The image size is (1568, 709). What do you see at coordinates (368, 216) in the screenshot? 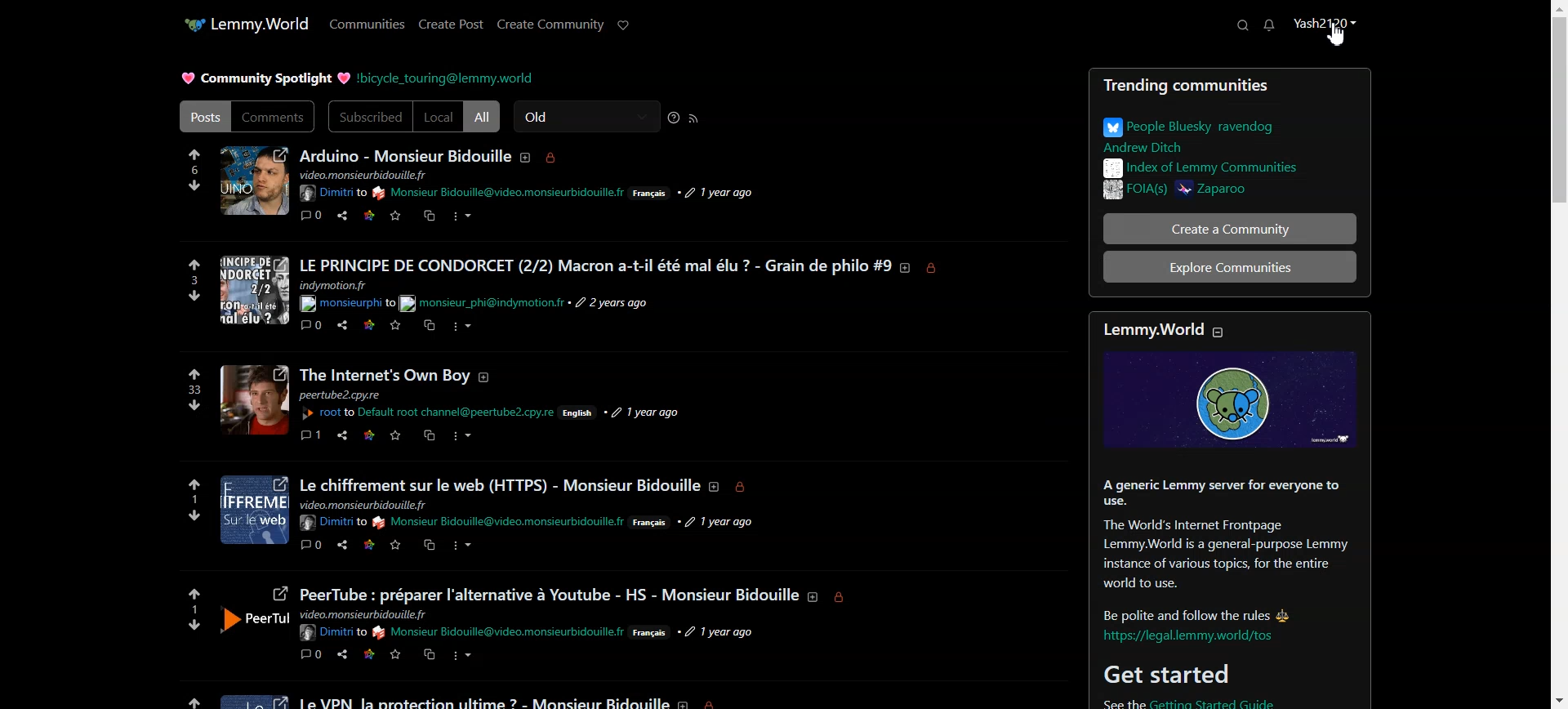
I see `Link` at bounding box center [368, 216].